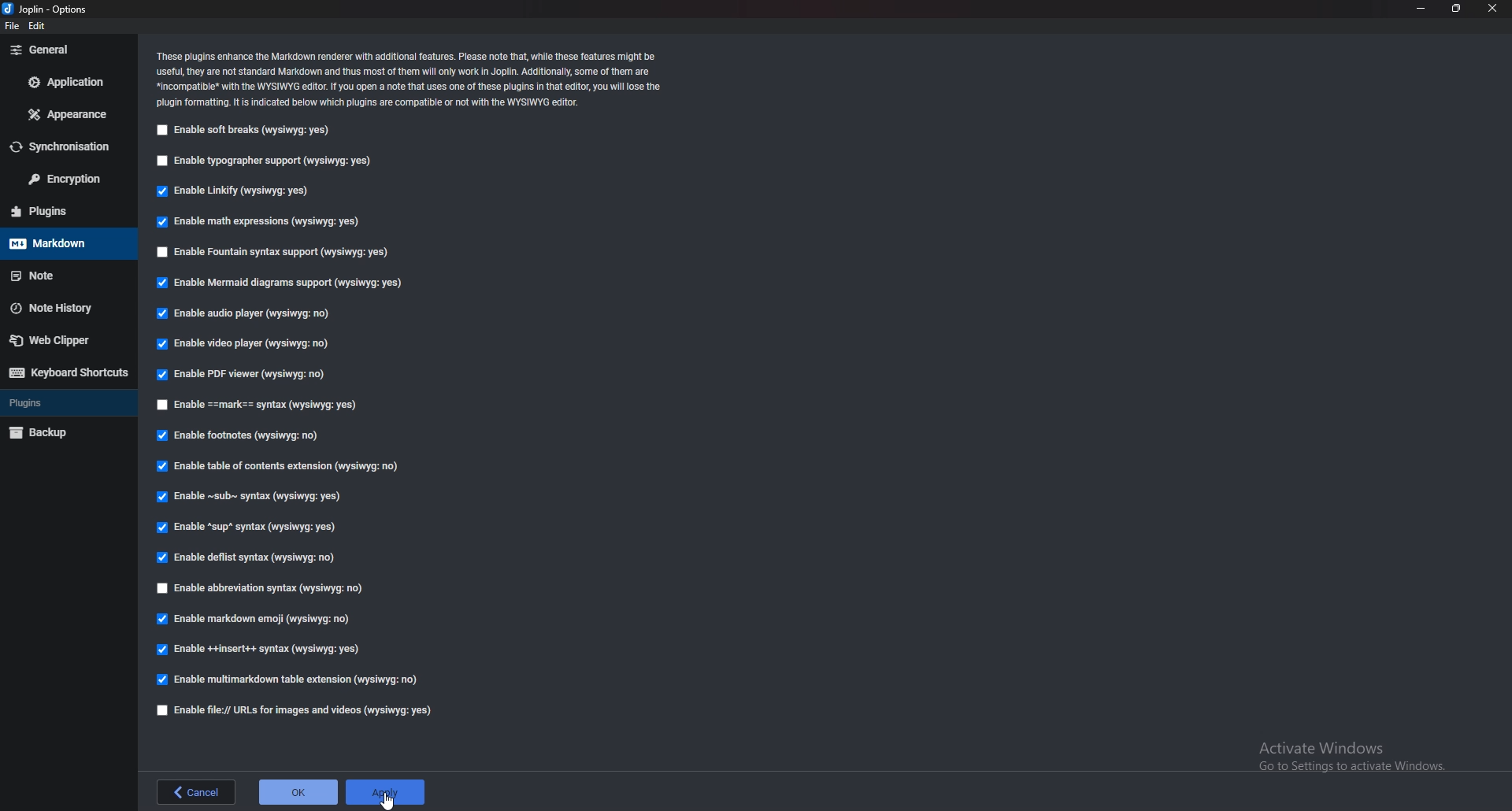 This screenshot has width=1512, height=811. I want to click on Plugins, so click(62, 211).